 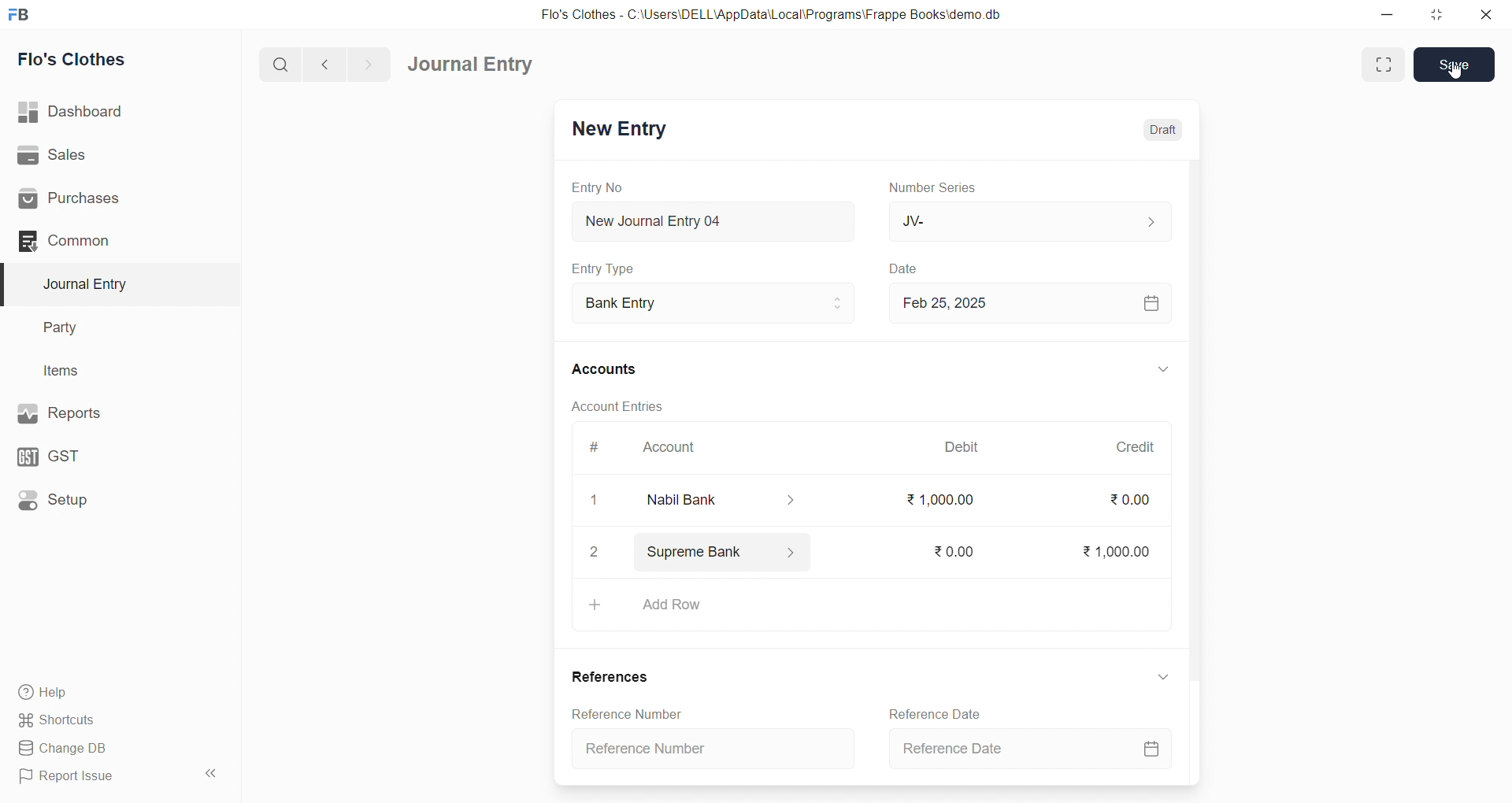 I want to click on ₹ 0.00, so click(x=953, y=549).